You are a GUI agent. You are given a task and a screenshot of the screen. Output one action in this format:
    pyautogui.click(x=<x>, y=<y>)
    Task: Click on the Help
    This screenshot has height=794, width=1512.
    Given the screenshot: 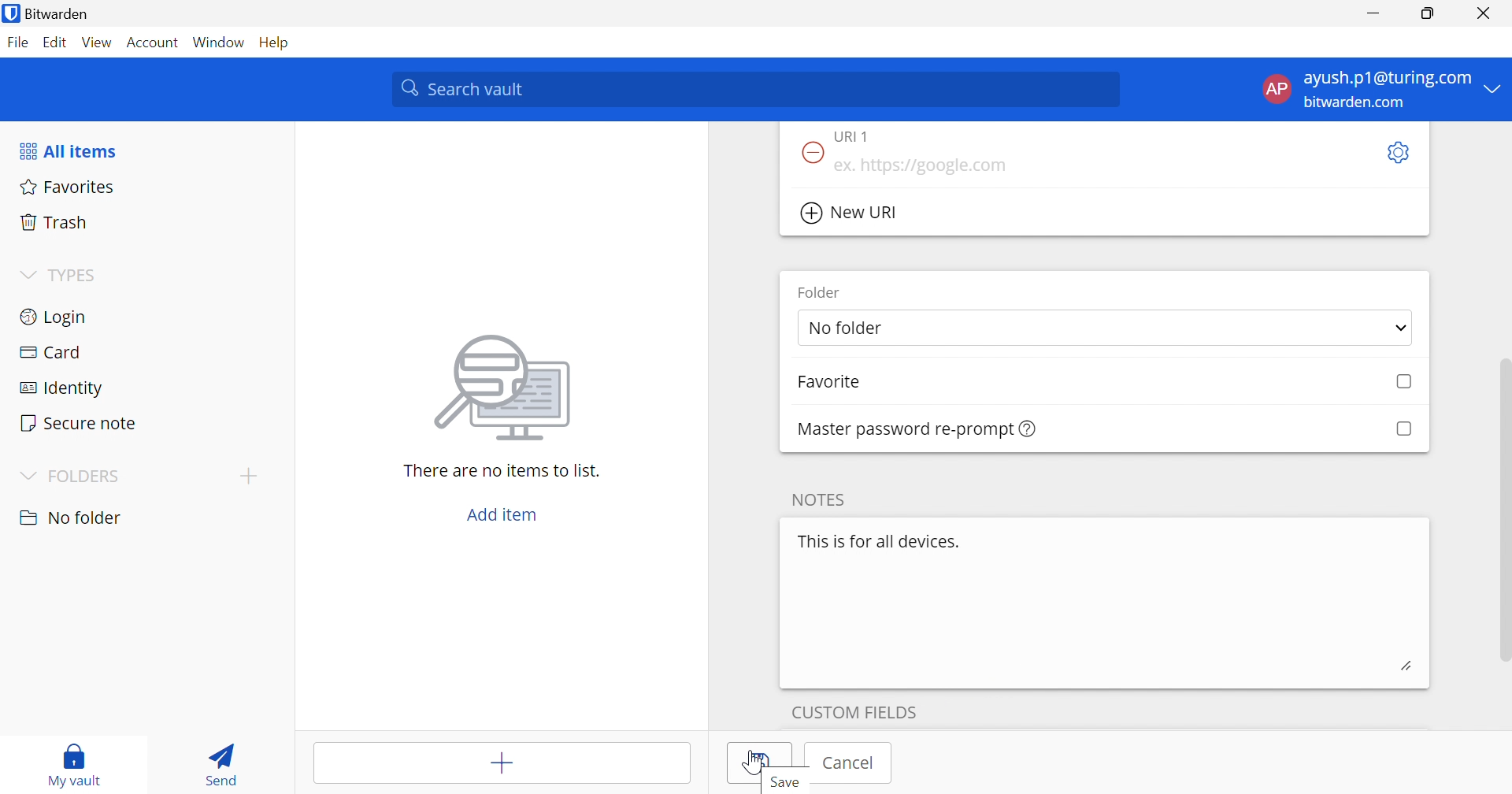 What is the action you would take?
    pyautogui.click(x=278, y=42)
    